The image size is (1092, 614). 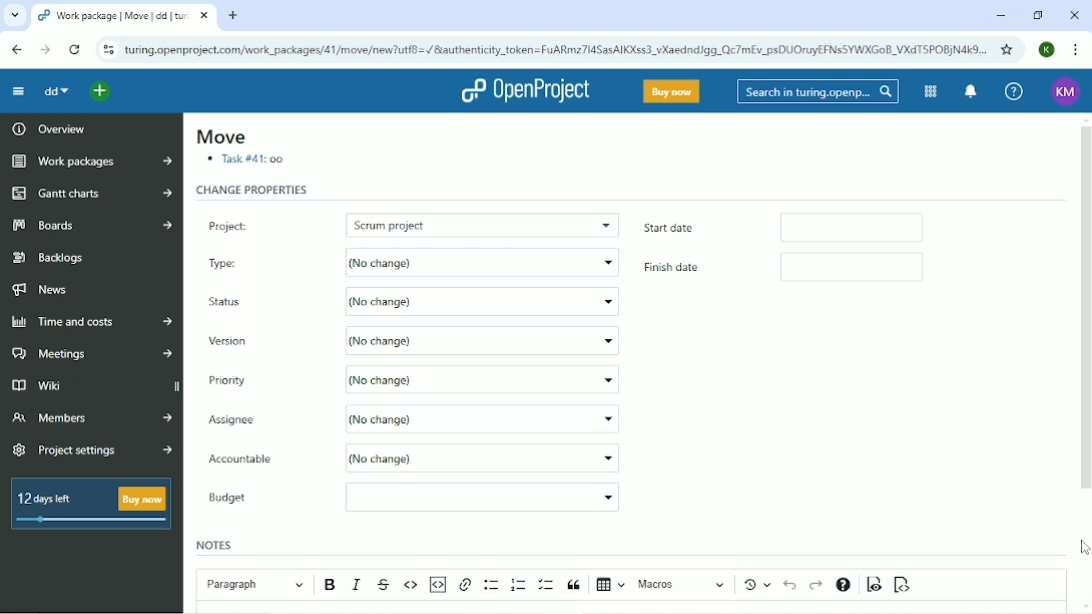 What do you see at coordinates (547, 585) in the screenshot?
I see `To-do list` at bounding box center [547, 585].